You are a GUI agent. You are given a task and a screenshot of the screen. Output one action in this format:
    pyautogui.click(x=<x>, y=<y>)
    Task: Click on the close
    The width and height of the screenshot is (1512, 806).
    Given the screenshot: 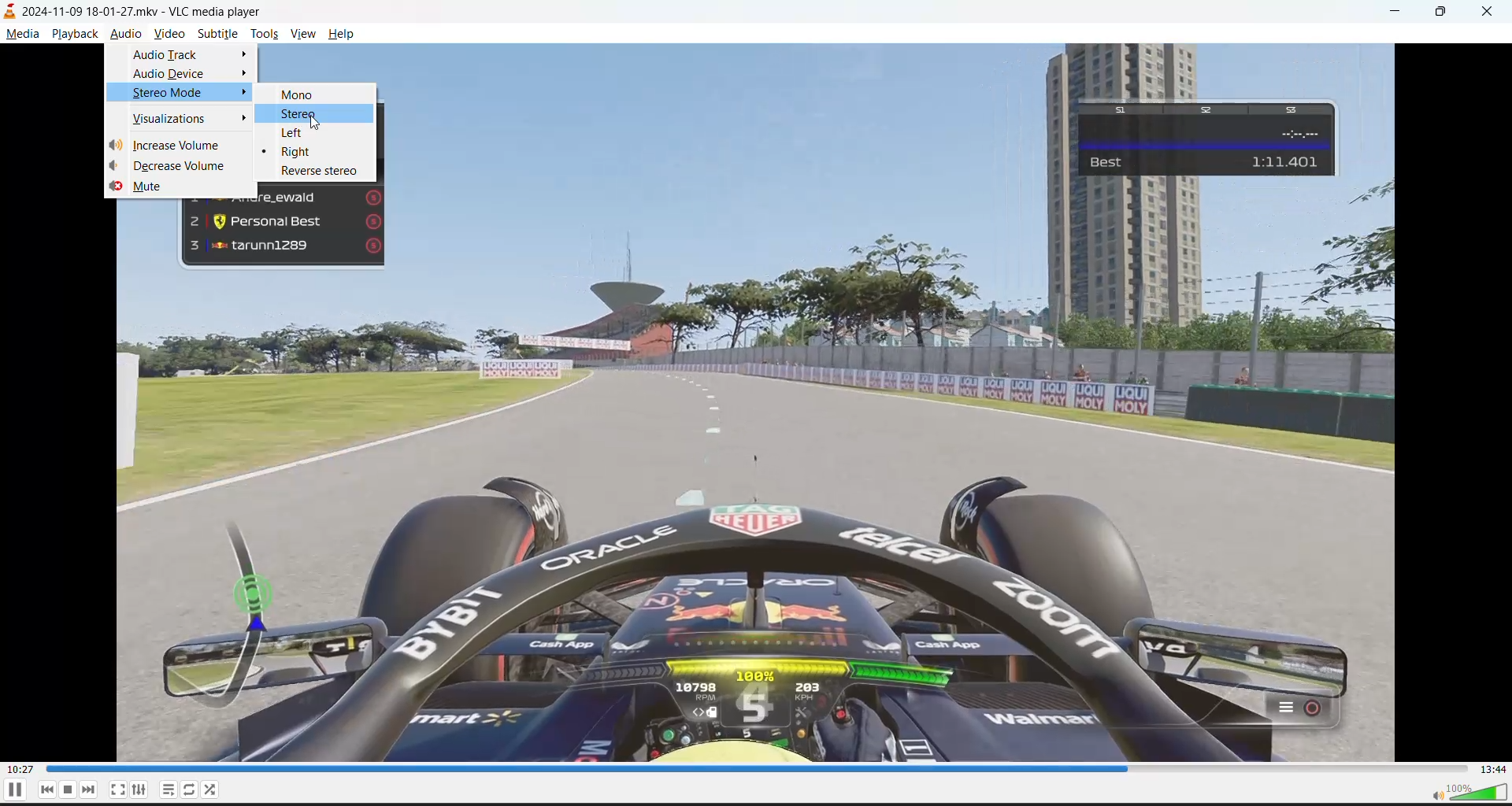 What is the action you would take?
    pyautogui.click(x=1488, y=14)
    